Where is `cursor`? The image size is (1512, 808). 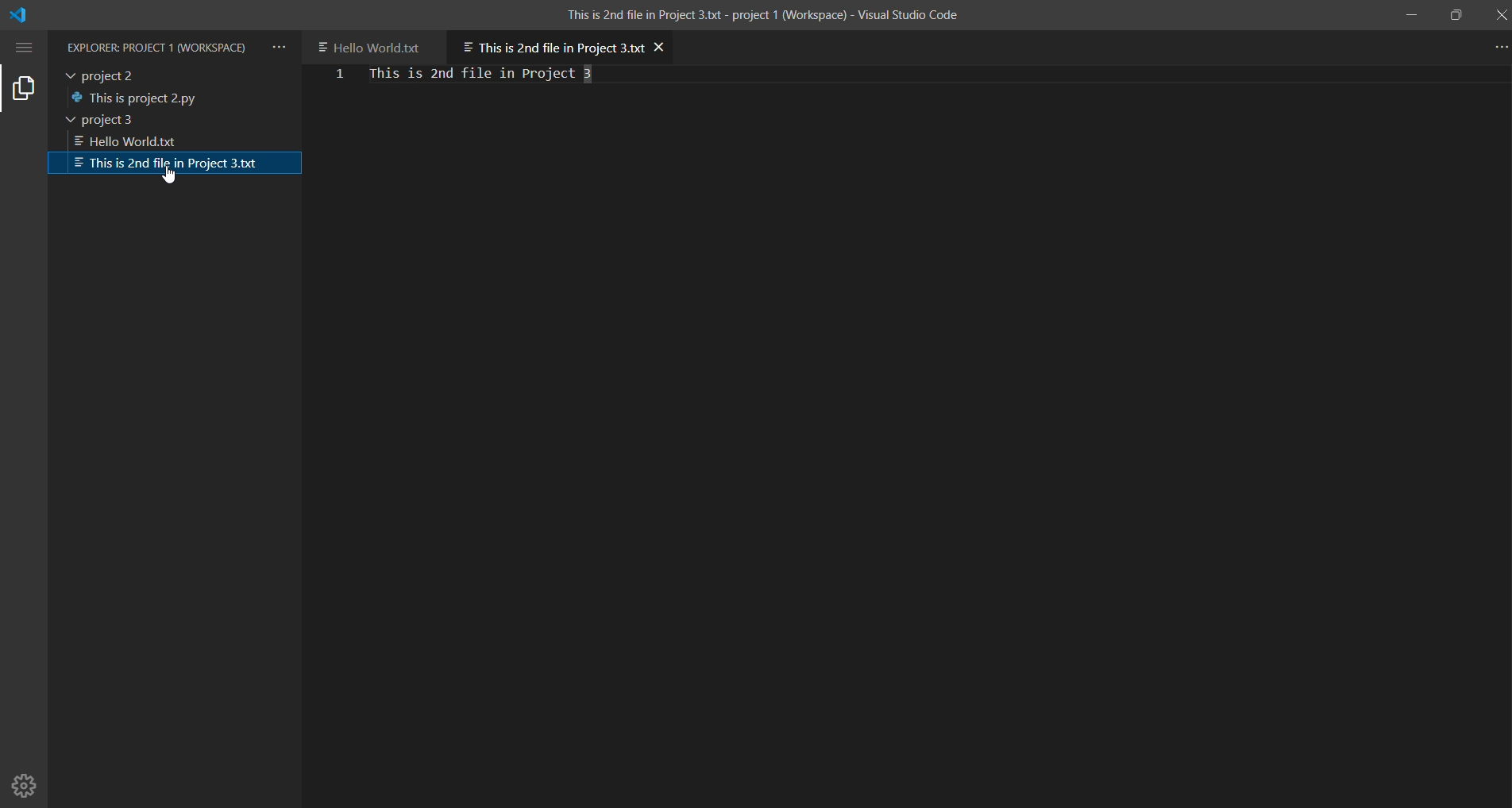 cursor is located at coordinates (171, 175).